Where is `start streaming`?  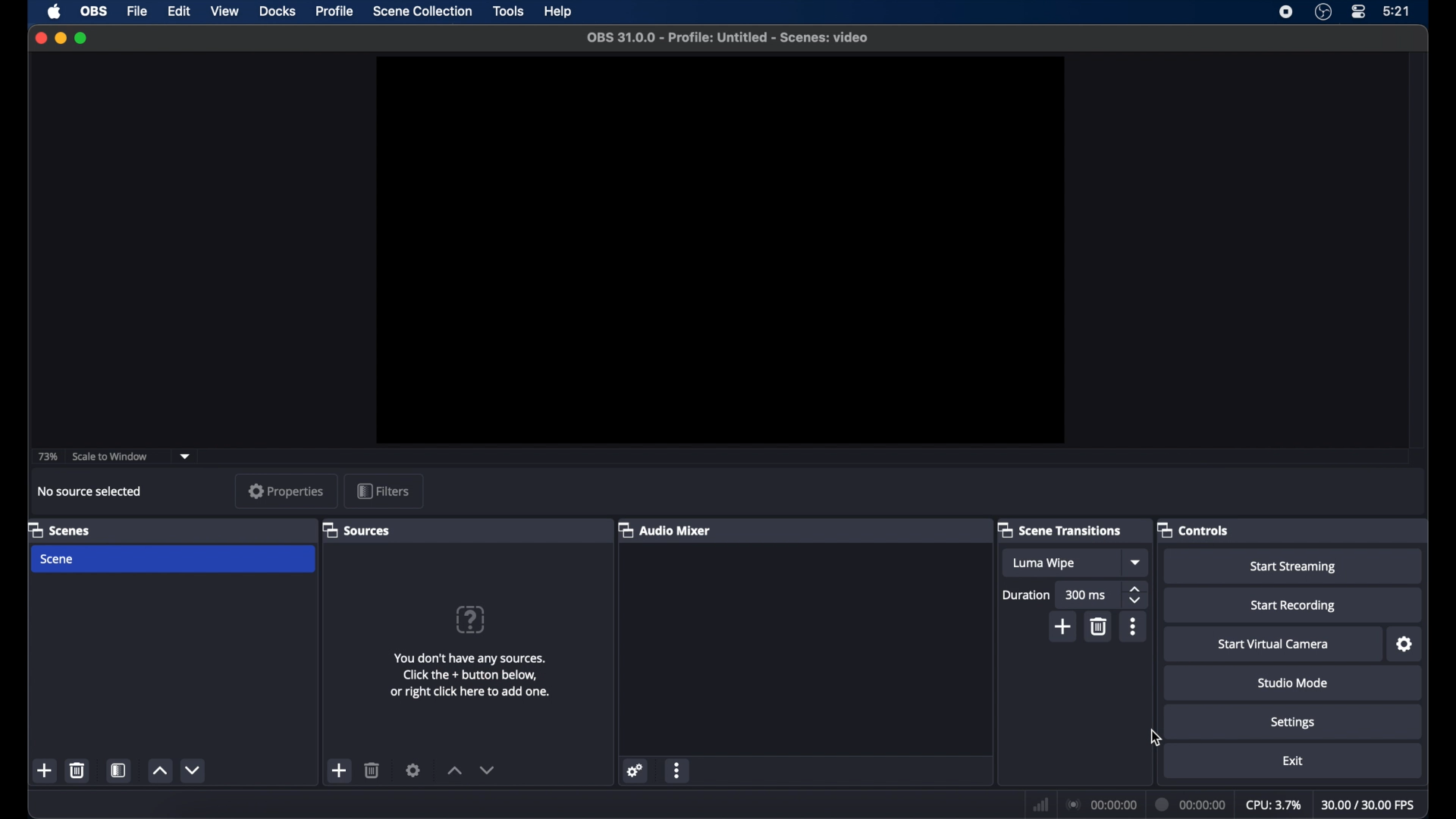 start streaming is located at coordinates (1297, 567).